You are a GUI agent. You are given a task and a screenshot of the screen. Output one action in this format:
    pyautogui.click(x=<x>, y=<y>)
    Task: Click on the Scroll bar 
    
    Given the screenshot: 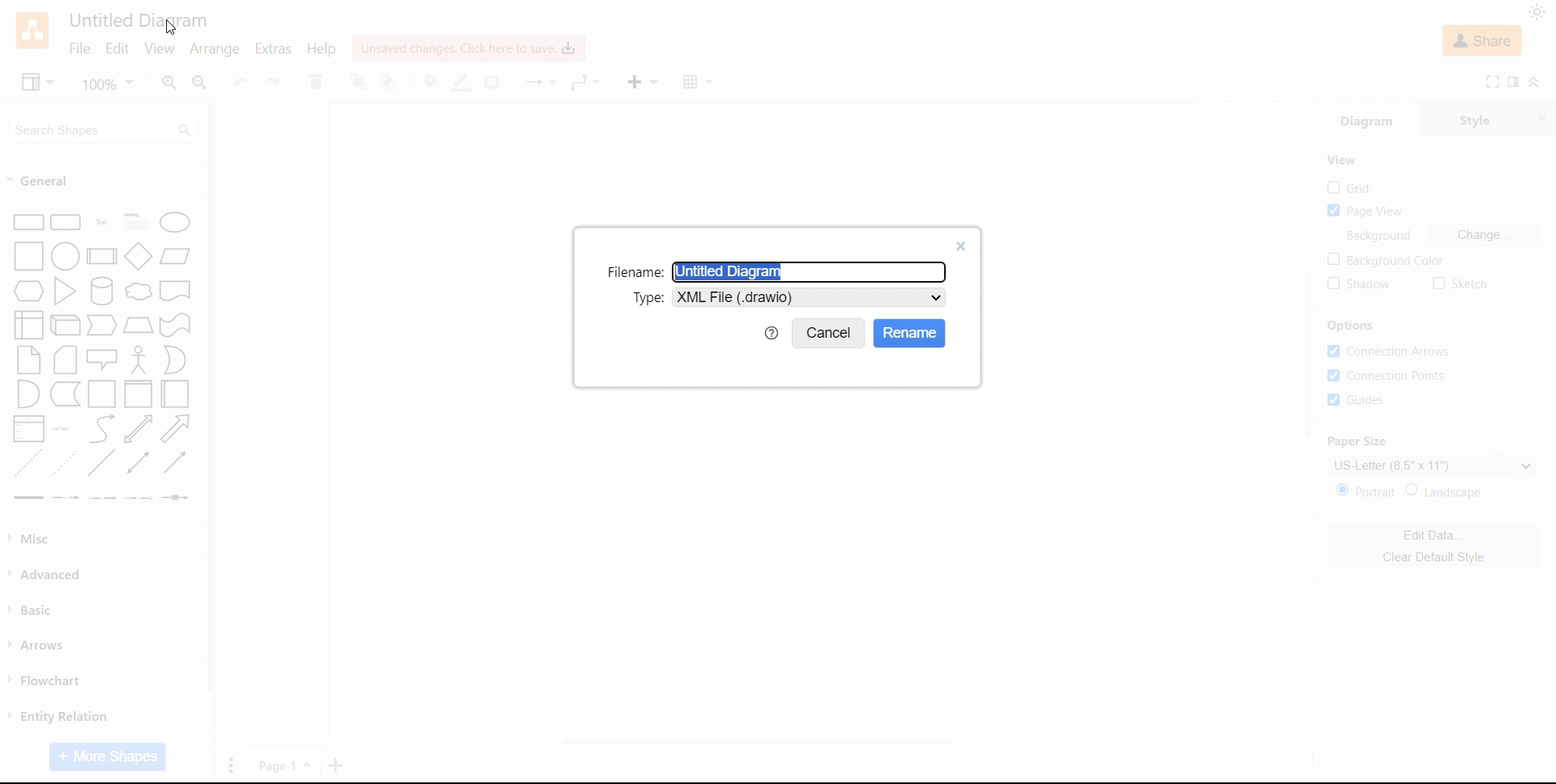 What is the action you would take?
    pyautogui.click(x=1307, y=354)
    